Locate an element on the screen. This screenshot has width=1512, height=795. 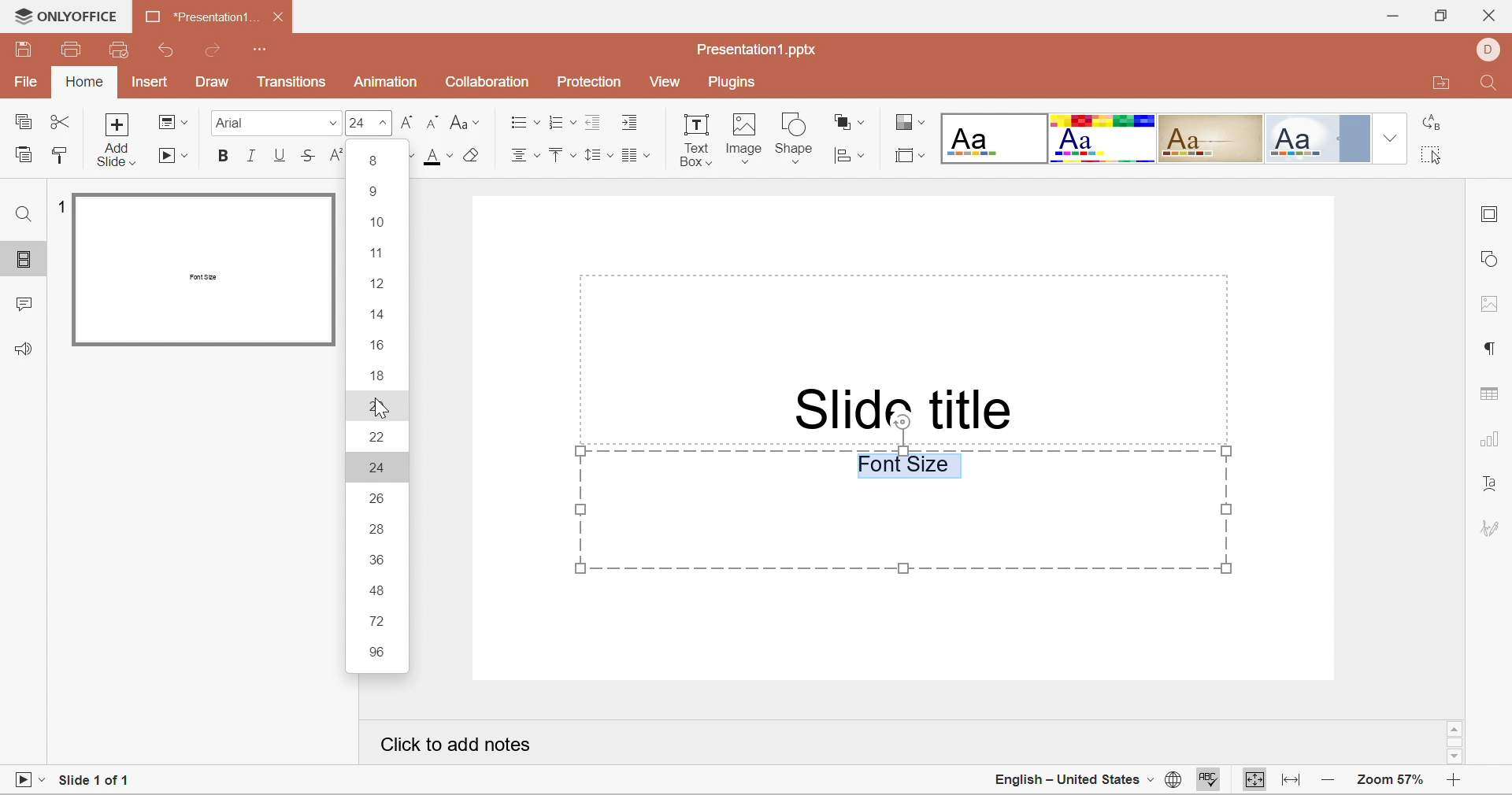
Align shape is located at coordinates (848, 157).